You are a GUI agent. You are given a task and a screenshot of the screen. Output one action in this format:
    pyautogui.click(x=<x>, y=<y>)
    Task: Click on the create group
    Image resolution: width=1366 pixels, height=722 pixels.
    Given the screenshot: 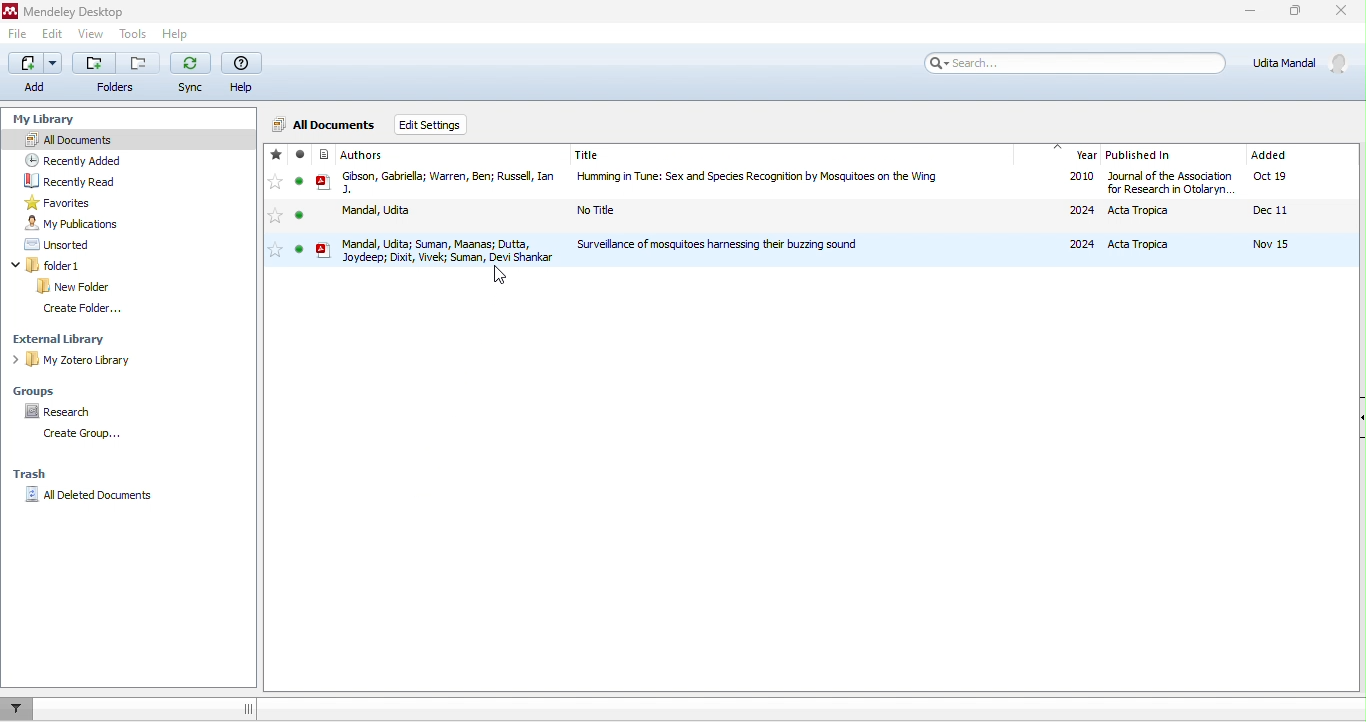 What is the action you would take?
    pyautogui.click(x=92, y=435)
    